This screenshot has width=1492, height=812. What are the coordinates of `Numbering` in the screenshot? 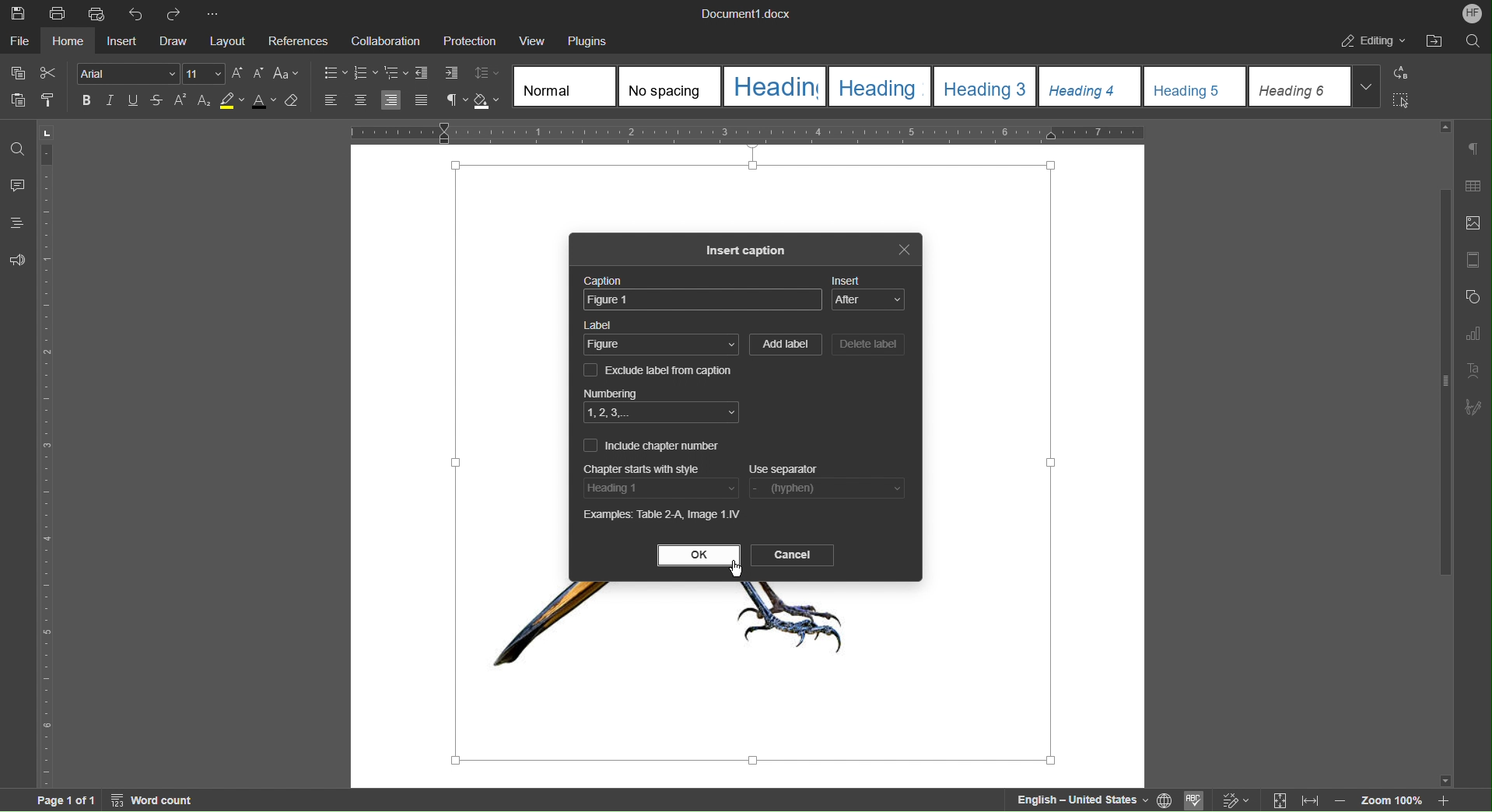 It's located at (611, 393).